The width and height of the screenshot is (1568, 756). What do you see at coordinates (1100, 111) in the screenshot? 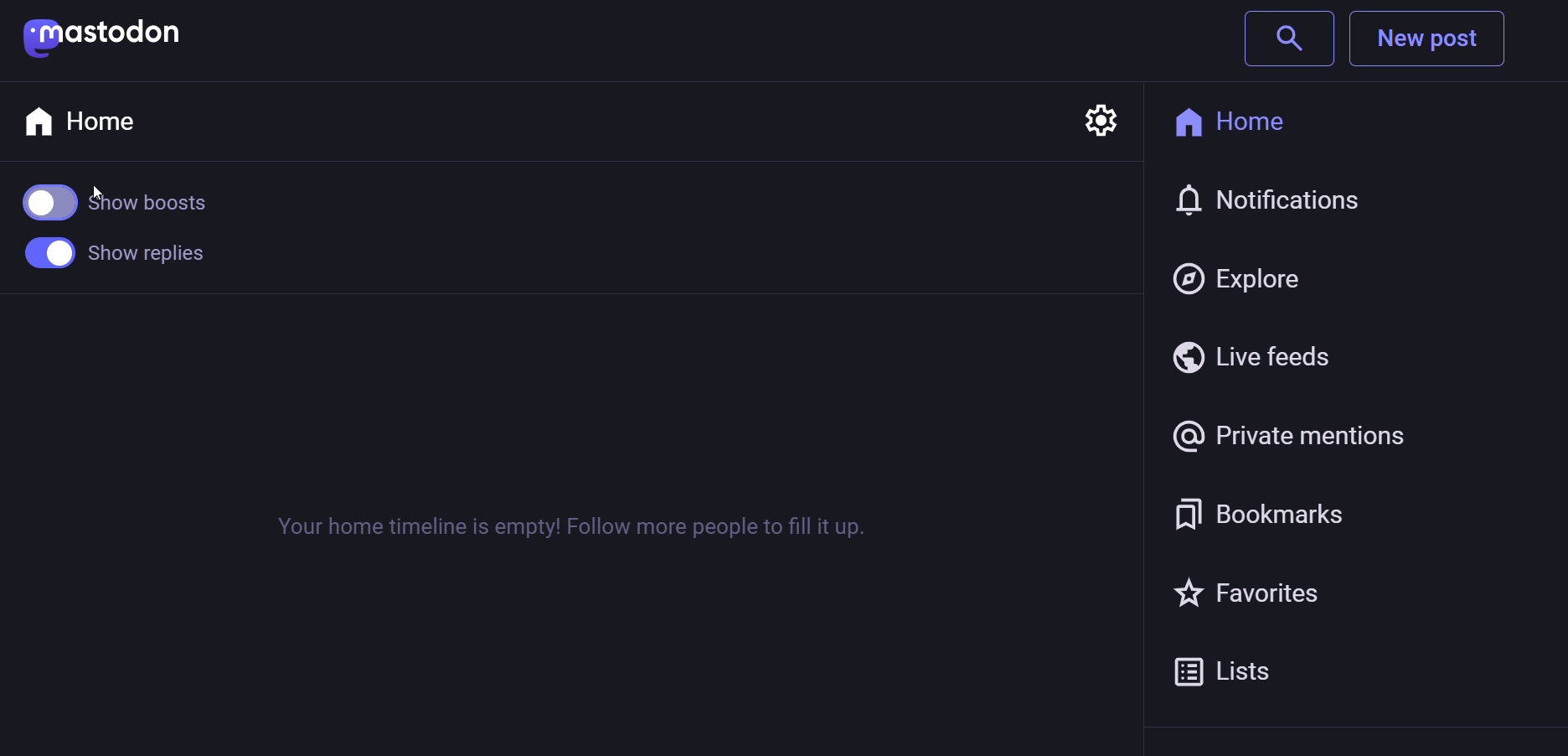
I see `setting` at bounding box center [1100, 111].